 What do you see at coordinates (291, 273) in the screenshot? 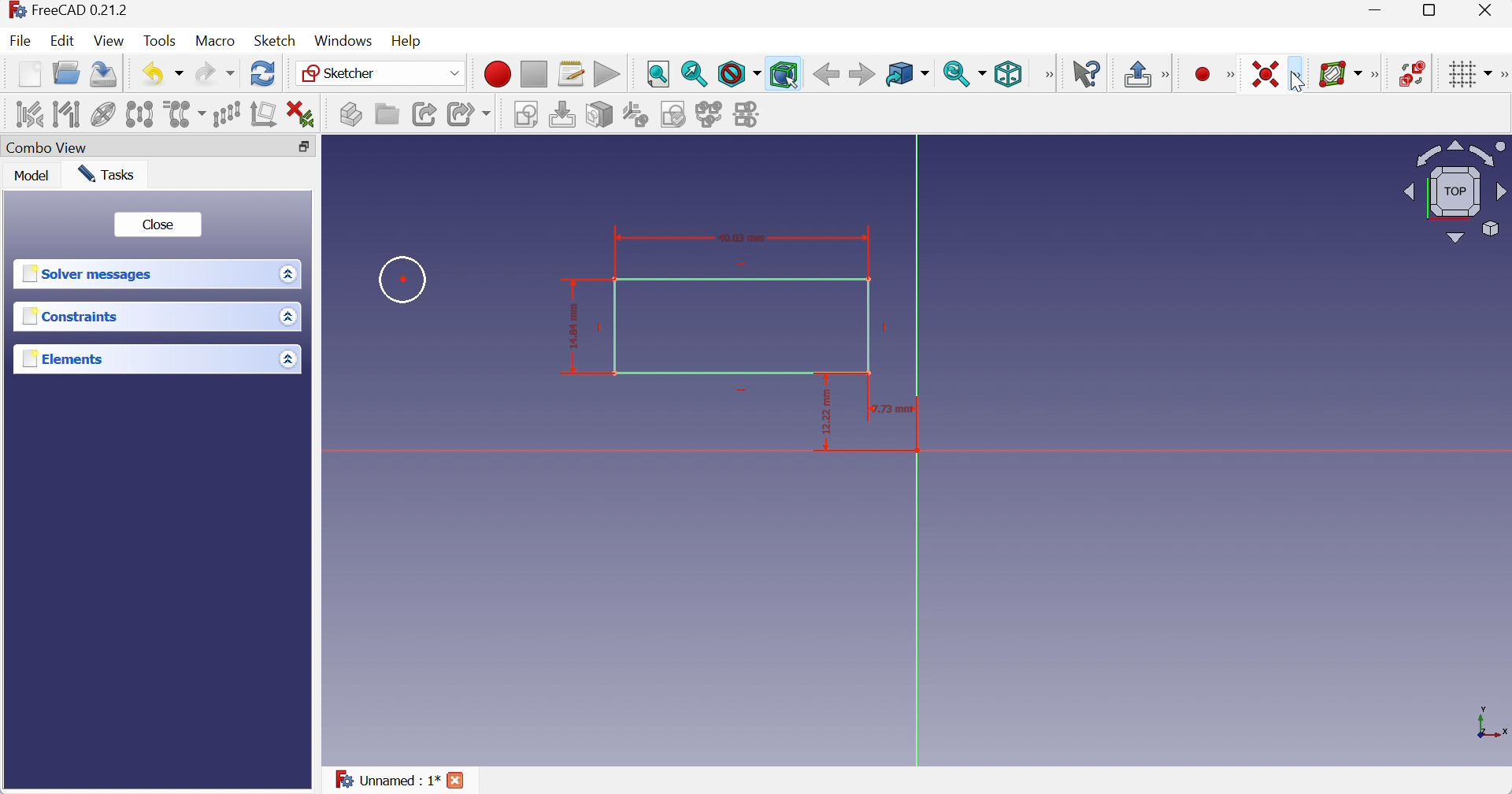
I see `Drop down` at bounding box center [291, 273].